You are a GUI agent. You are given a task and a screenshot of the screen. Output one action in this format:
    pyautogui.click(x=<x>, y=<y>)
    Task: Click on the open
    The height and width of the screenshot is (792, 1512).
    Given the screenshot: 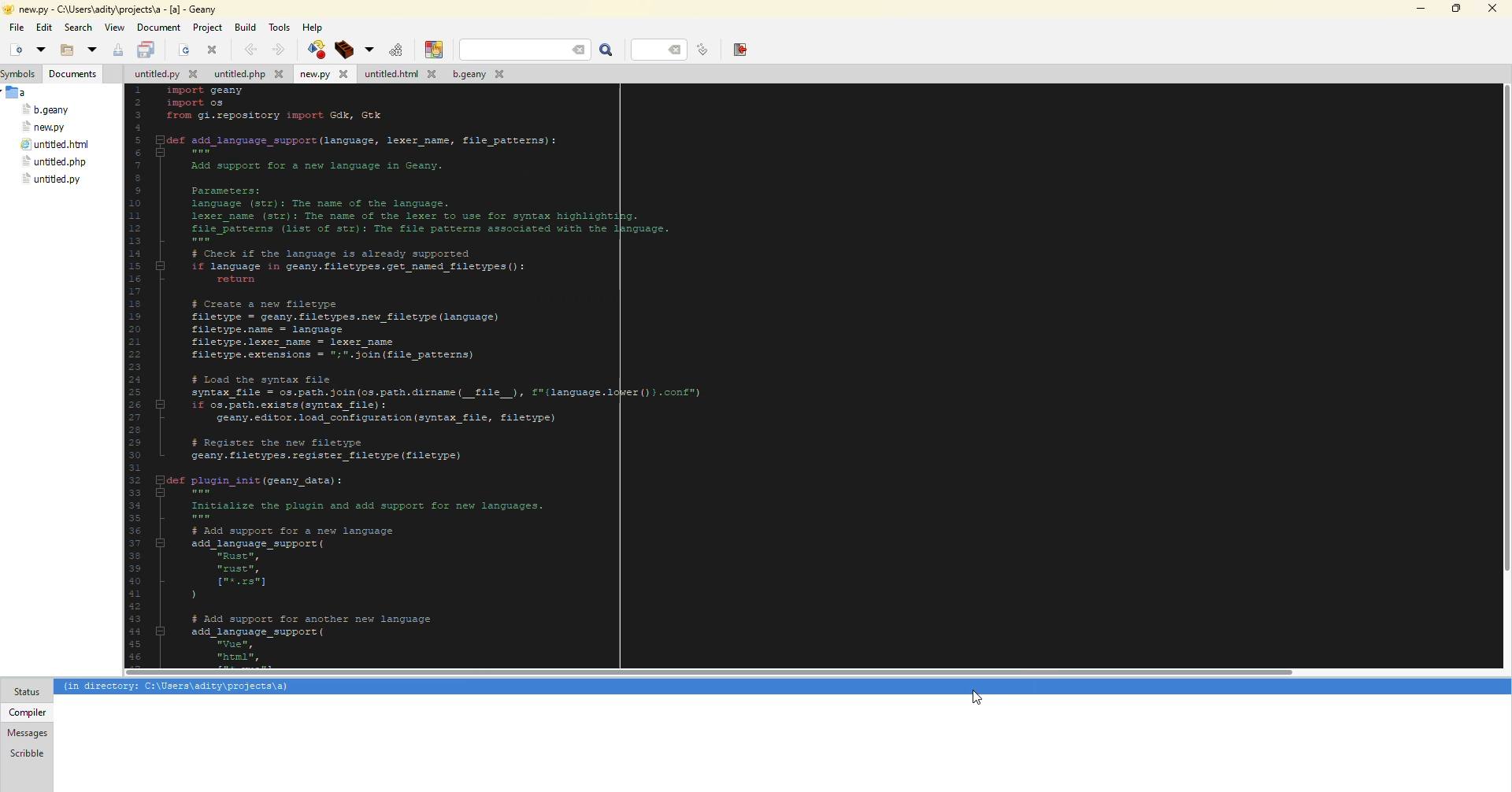 What is the action you would take?
    pyautogui.click(x=91, y=50)
    